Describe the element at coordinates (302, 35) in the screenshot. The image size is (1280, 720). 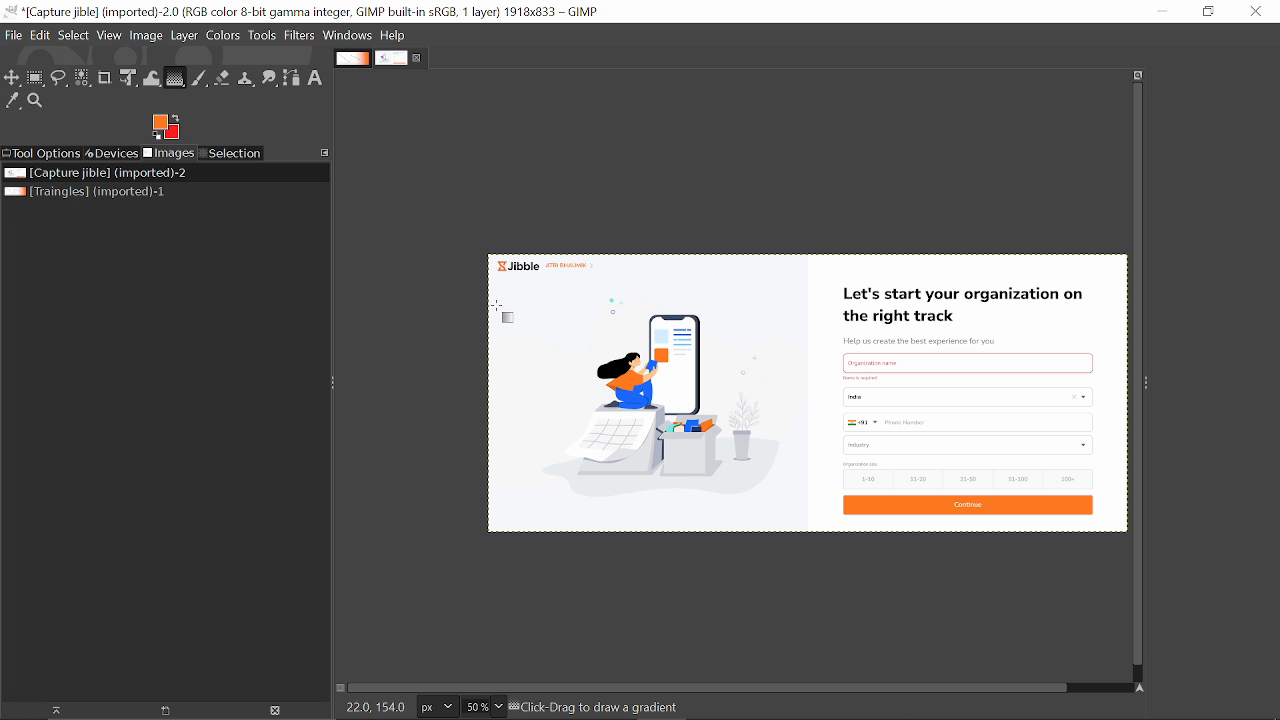
I see `Filters` at that location.